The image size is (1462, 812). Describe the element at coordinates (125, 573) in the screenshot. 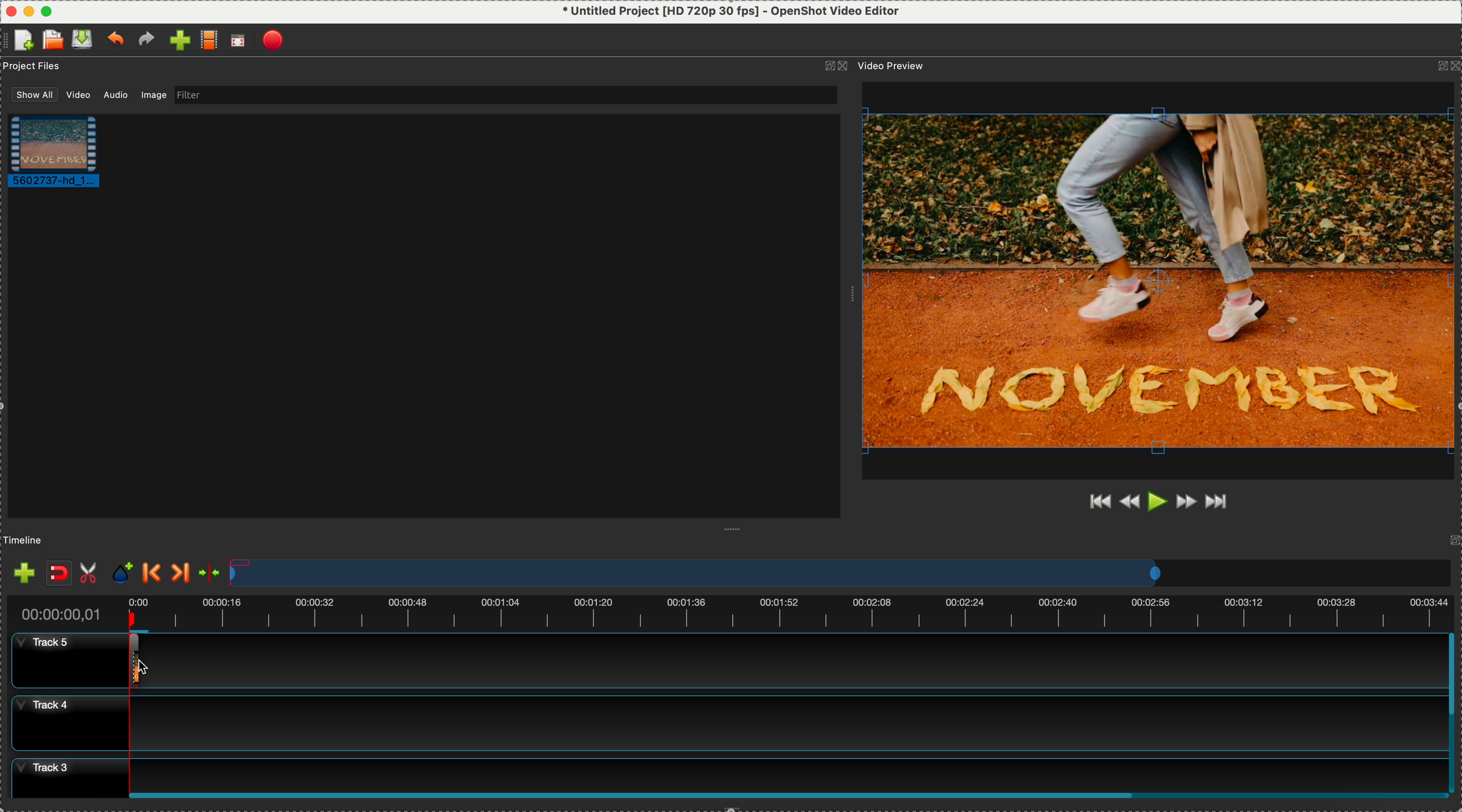

I see `add mark` at that location.